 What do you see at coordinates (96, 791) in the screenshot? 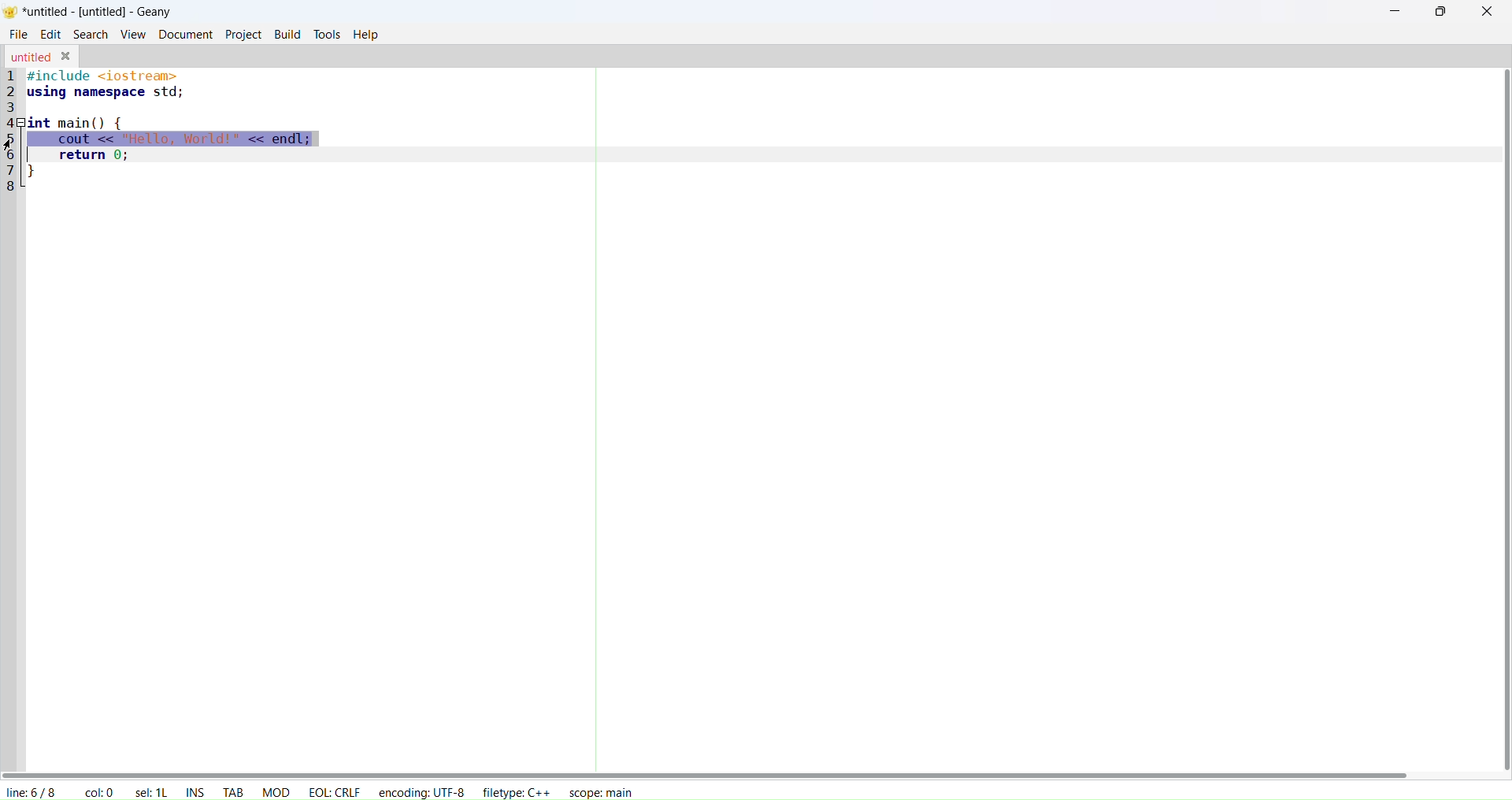
I see `col: 0` at bounding box center [96, 791].